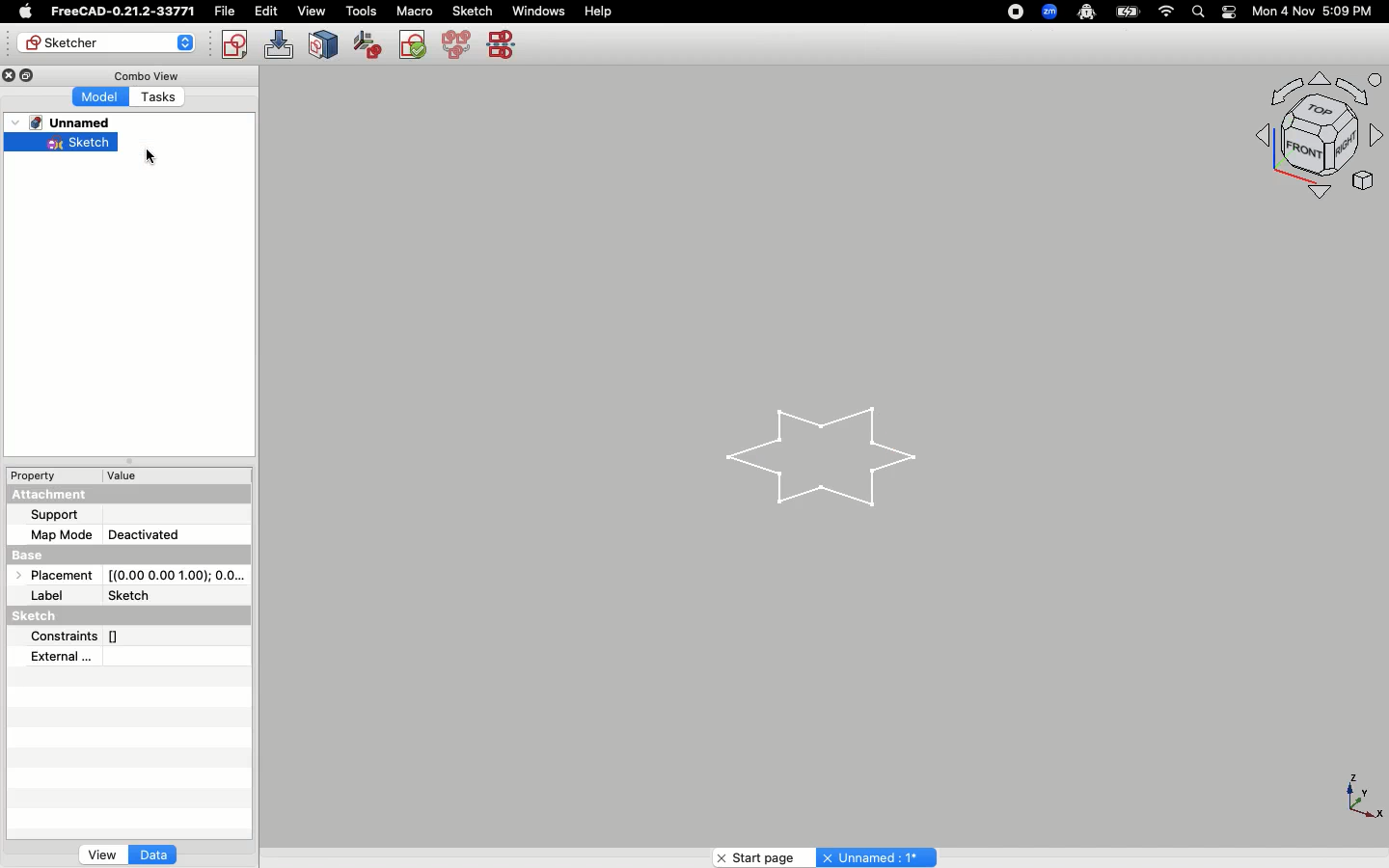 This screenshot has height=868, width=1389. I want to click on Edit, so click(266, 12).